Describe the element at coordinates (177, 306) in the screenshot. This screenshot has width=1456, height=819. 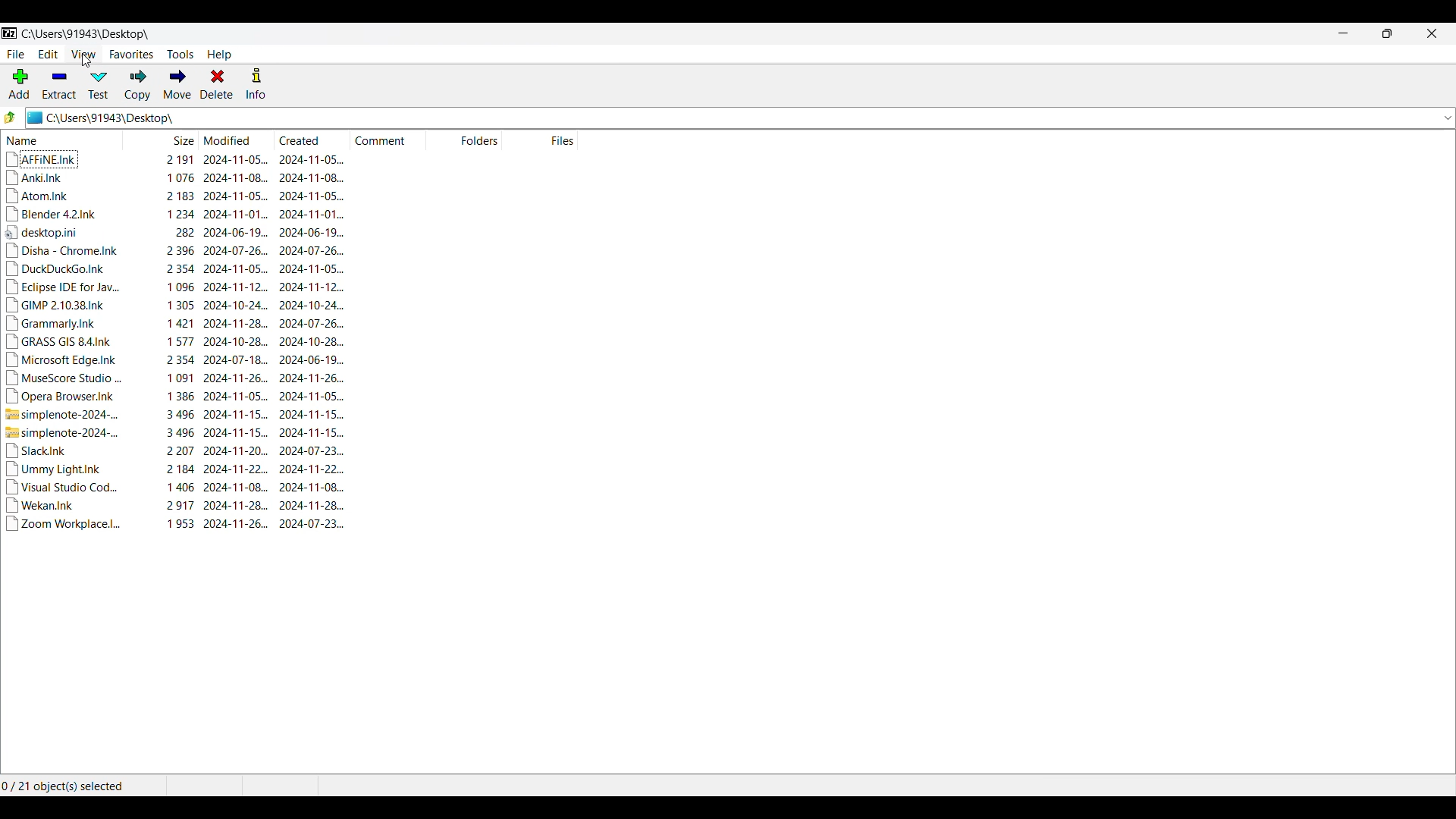
I see `GIMP 2.10.38.Ink 1305 2024-10-24... 2024-10-24..` at that location.